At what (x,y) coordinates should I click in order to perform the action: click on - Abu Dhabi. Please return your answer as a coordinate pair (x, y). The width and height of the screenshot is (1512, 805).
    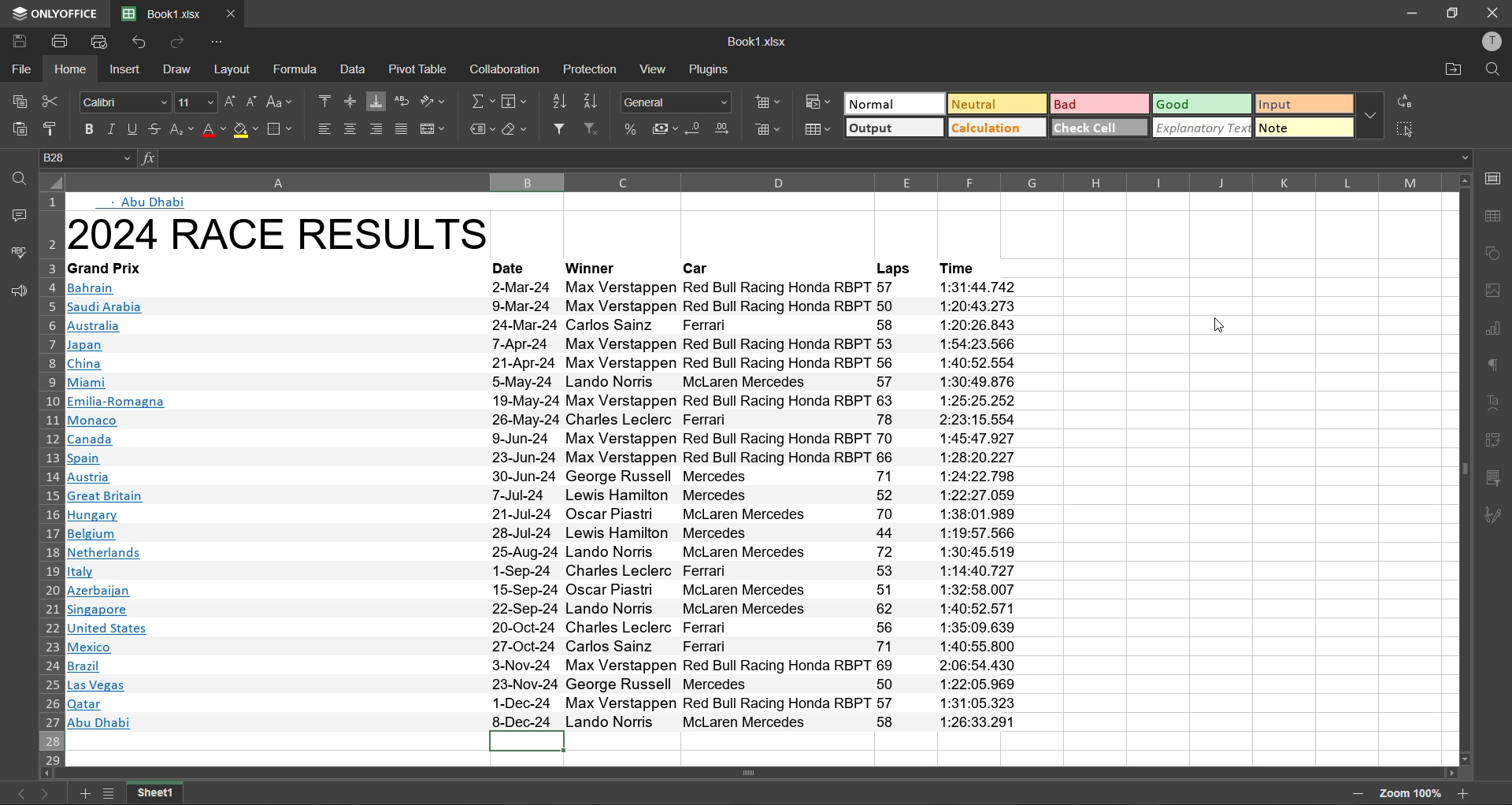
    Looking at the image, I should click on (155, 202).